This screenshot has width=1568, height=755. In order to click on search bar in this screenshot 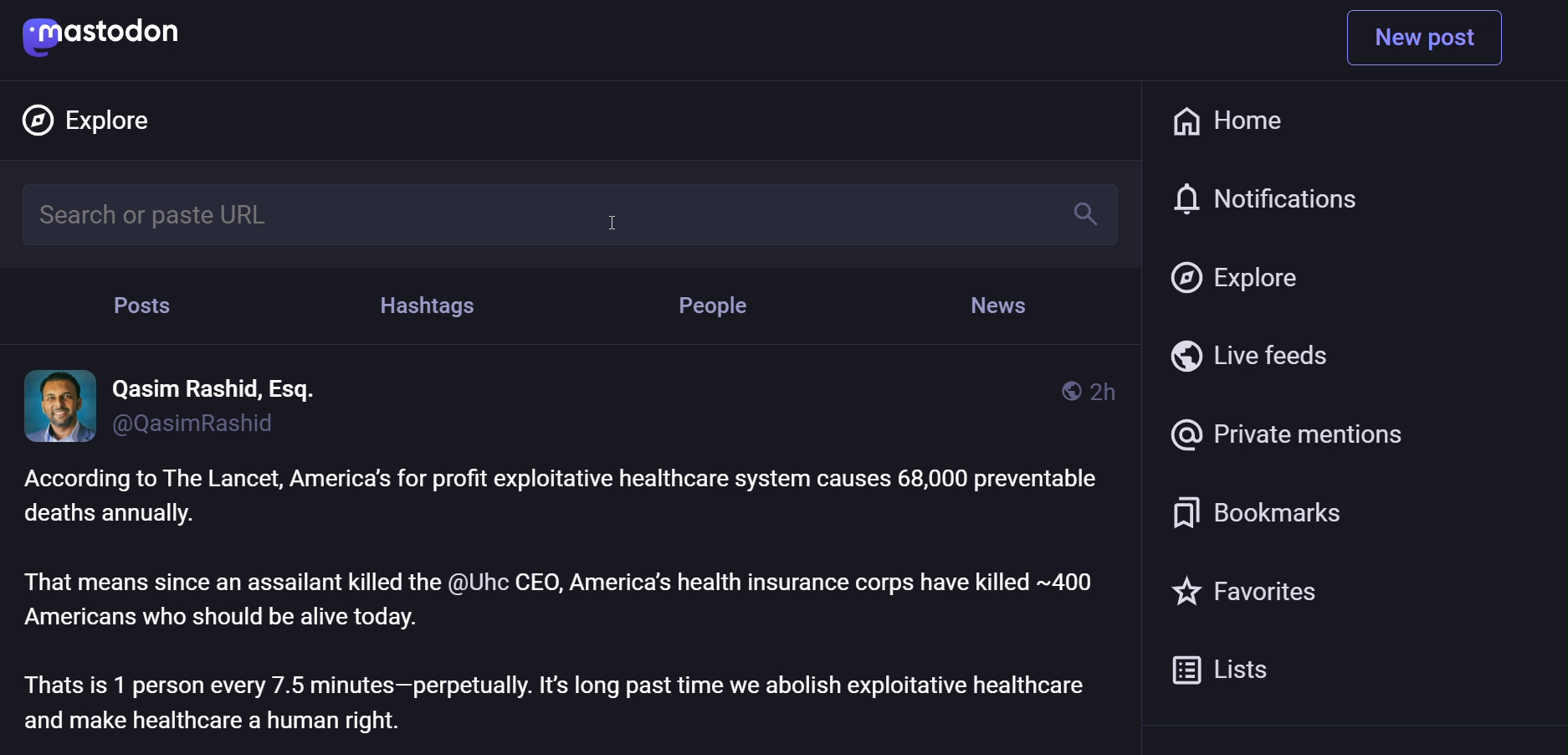, I will do `click(530, 212)`.